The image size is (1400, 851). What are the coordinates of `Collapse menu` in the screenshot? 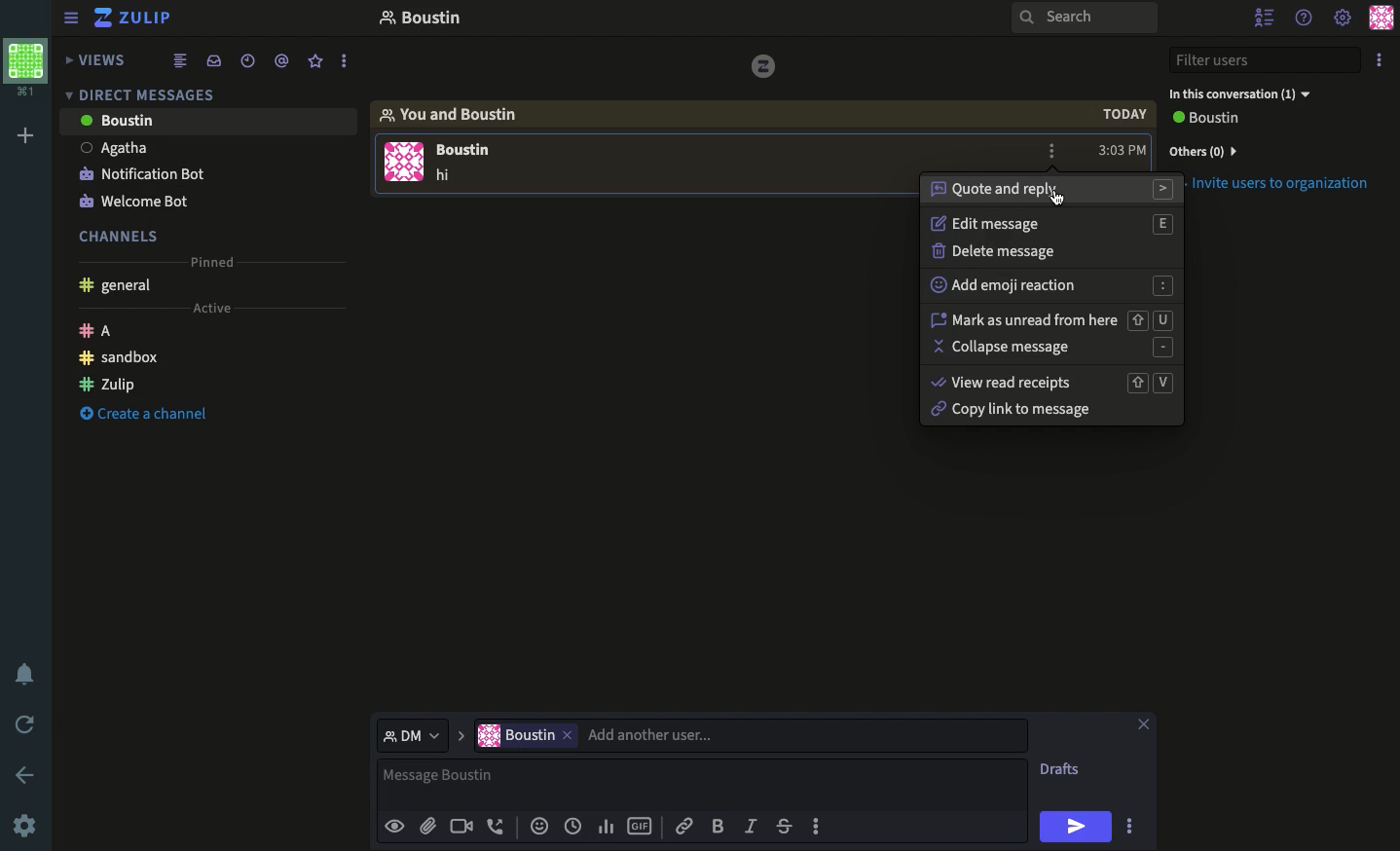 It's located at (73, 19).